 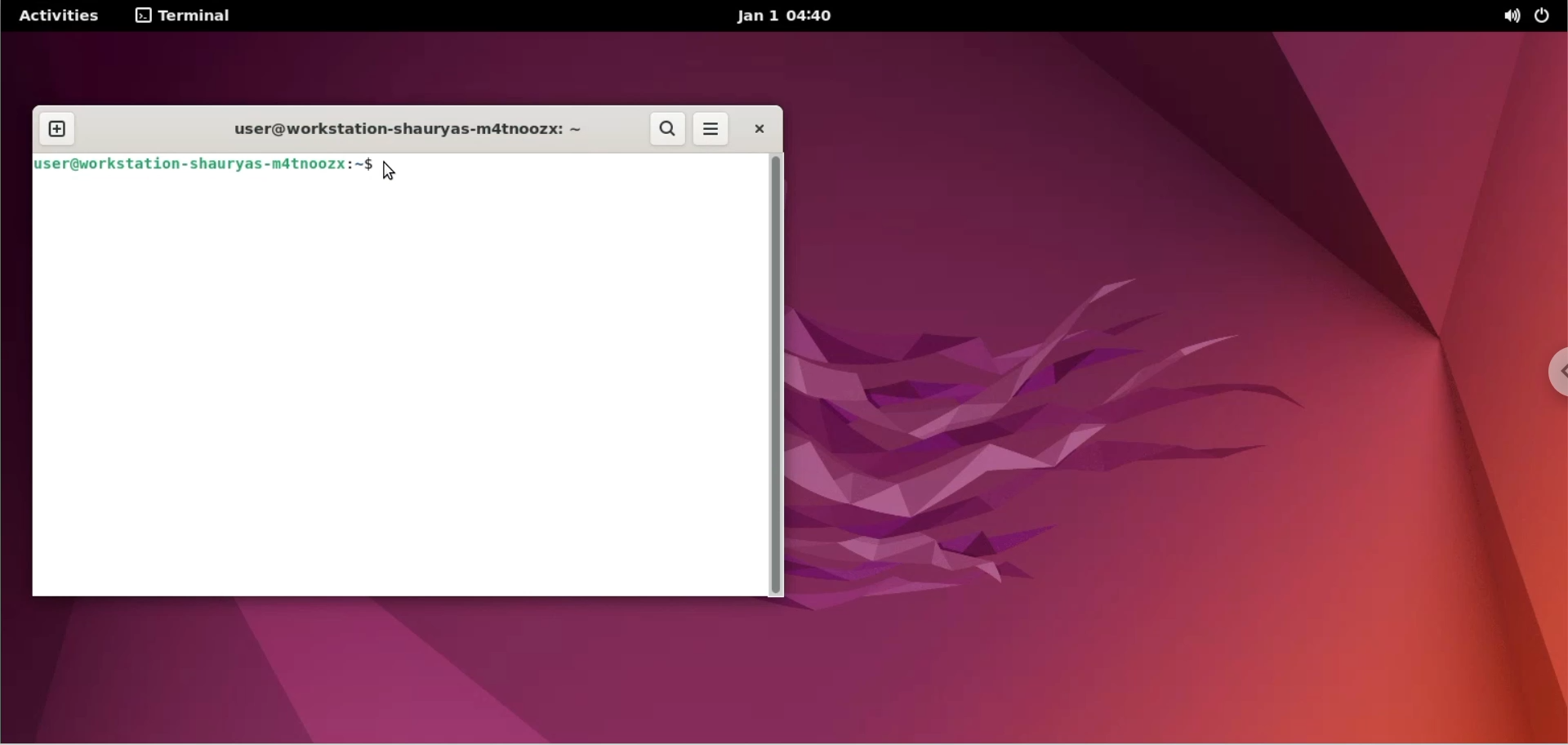 I want to click on Jan 1 04:40, so click(x=787, y=17).